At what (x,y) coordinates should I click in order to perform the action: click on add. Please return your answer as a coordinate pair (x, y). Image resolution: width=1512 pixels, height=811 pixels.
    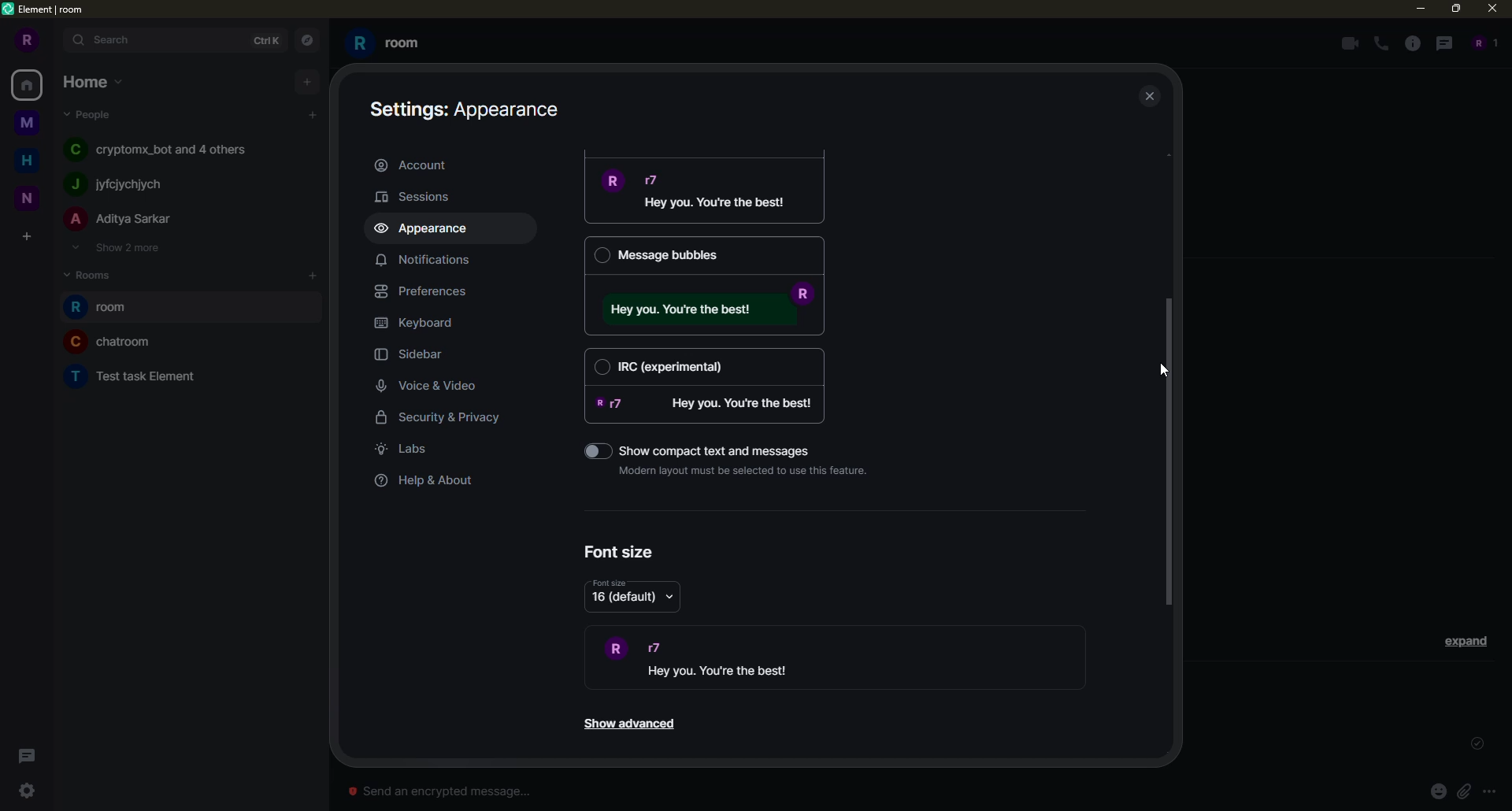
    Looking at the image, I should click on (307, 80).